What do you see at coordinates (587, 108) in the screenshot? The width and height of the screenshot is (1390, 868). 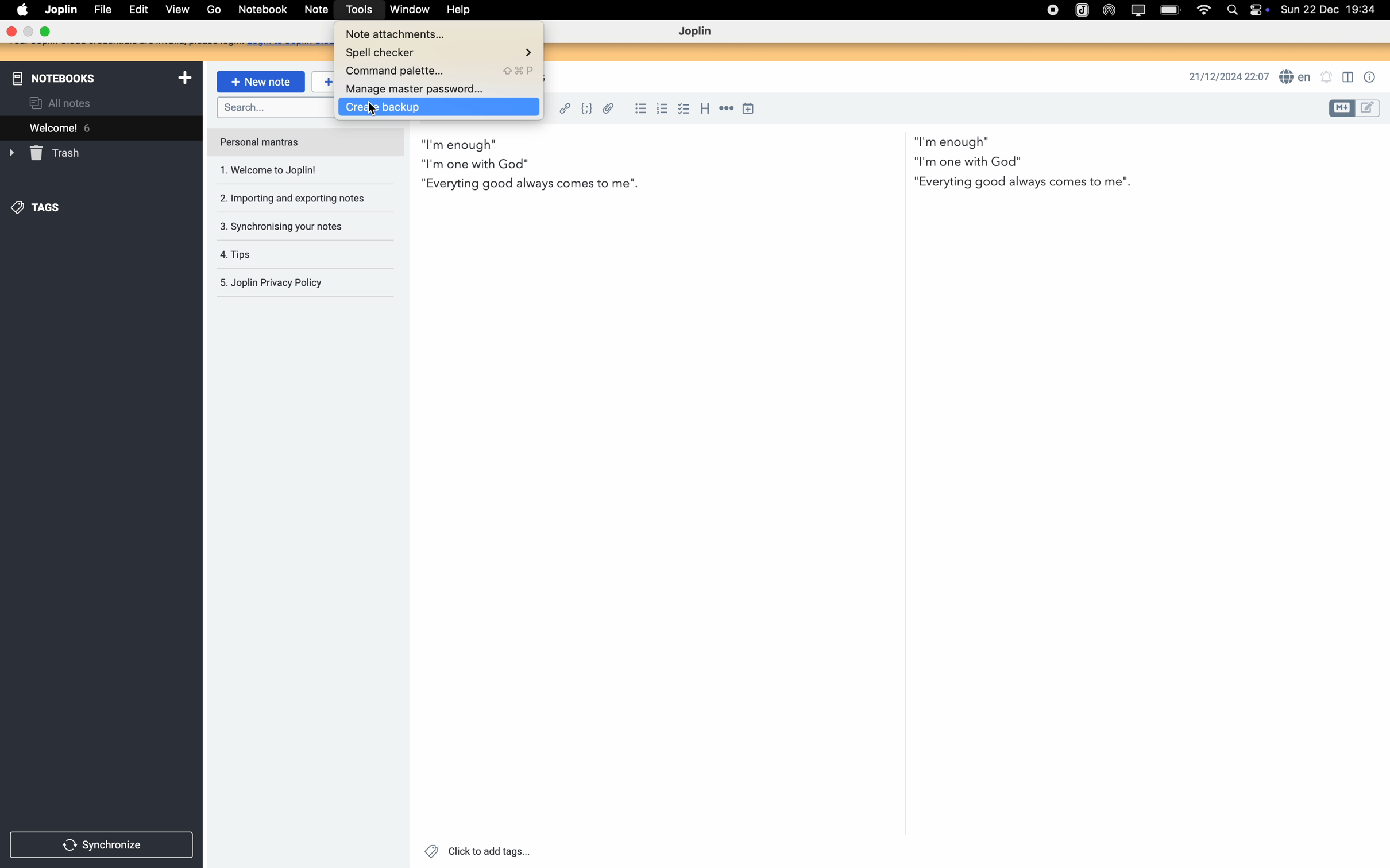 I see `code` at bounding box center [587, 108].